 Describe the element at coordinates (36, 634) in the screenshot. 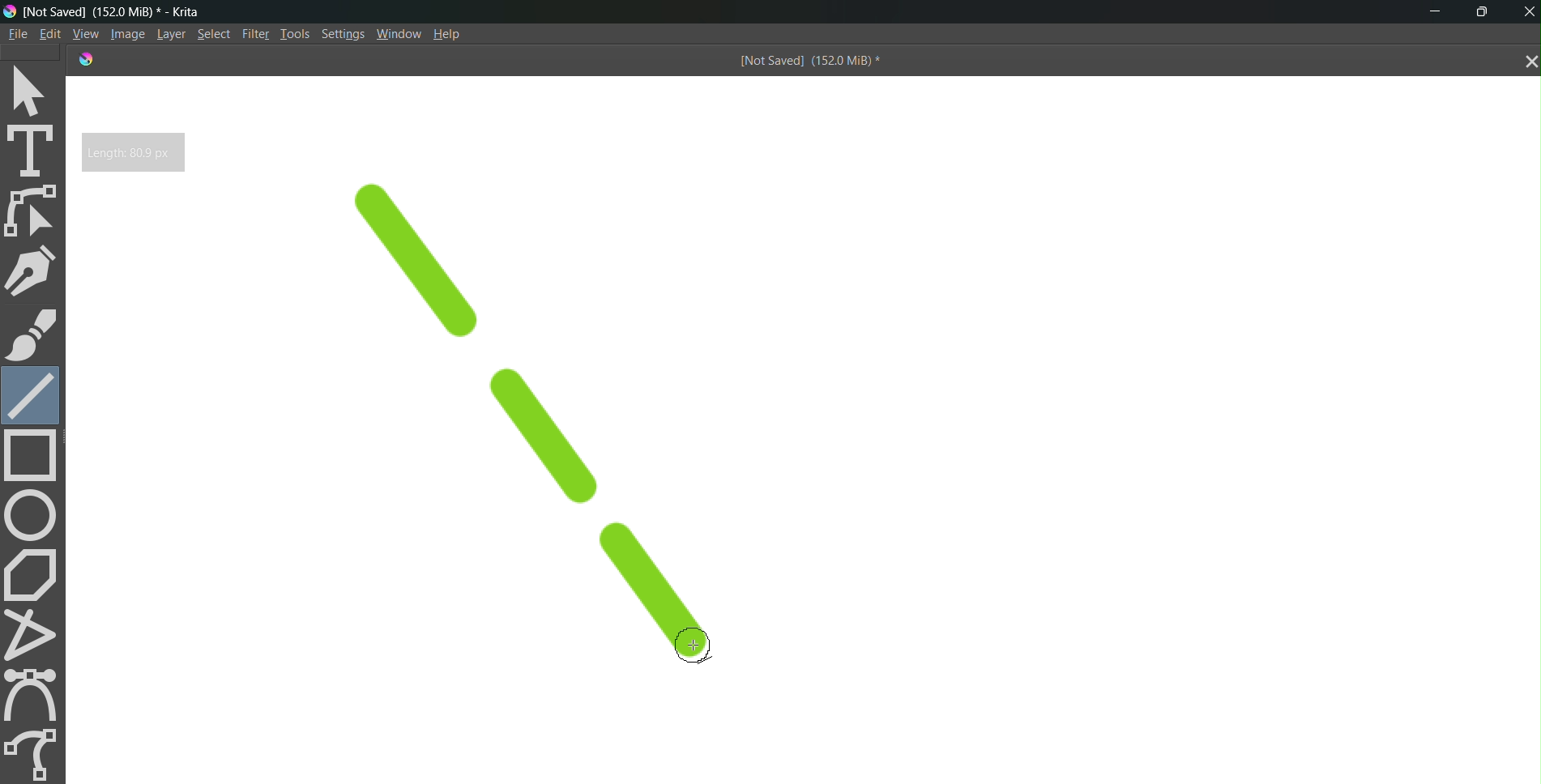

I see `polyline` at that location.